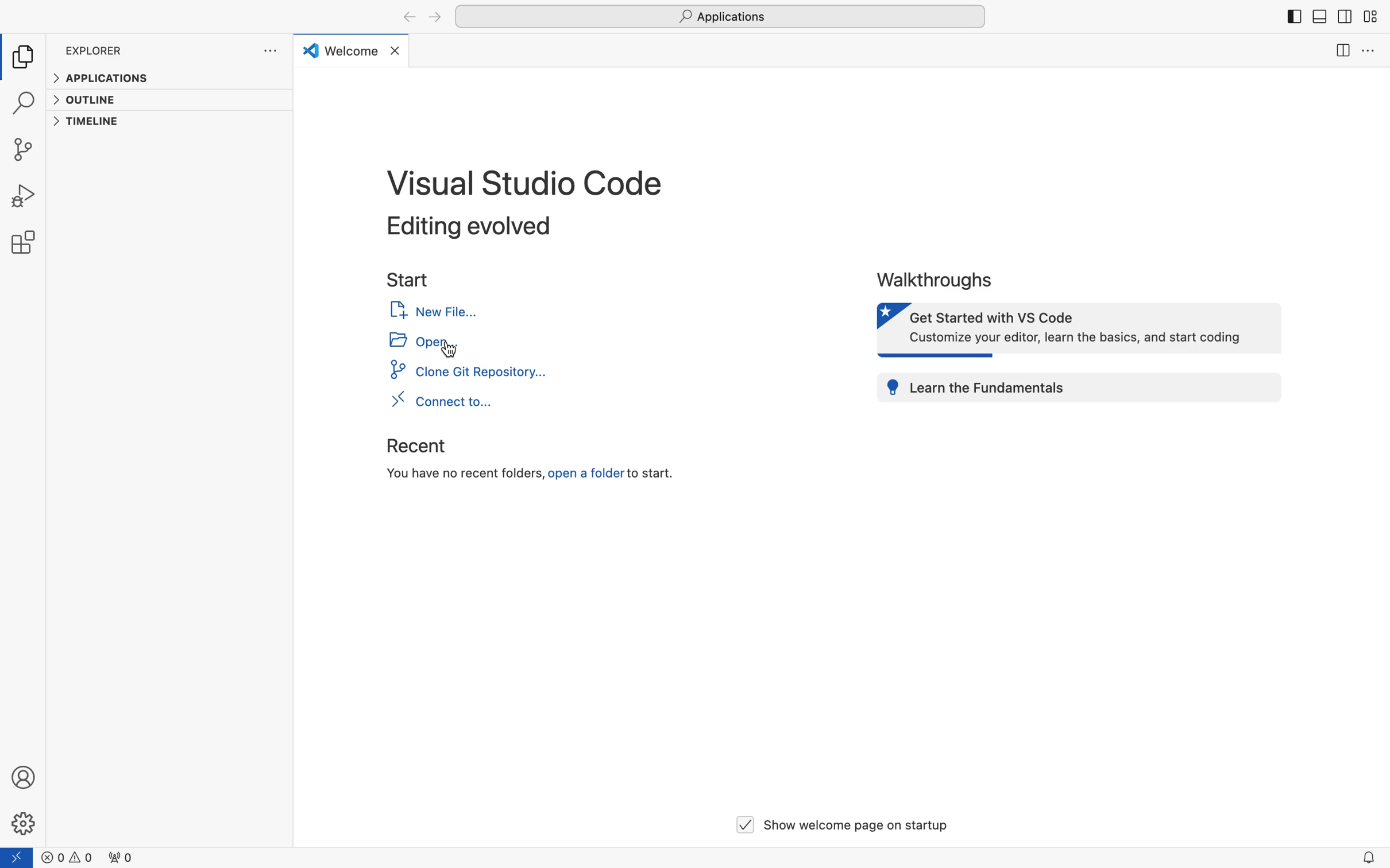 The height and width of the screenshot is (868, 1390). Describe the element at coordinates (1368, 855) in the screenshot. I see `notifications` at that location.